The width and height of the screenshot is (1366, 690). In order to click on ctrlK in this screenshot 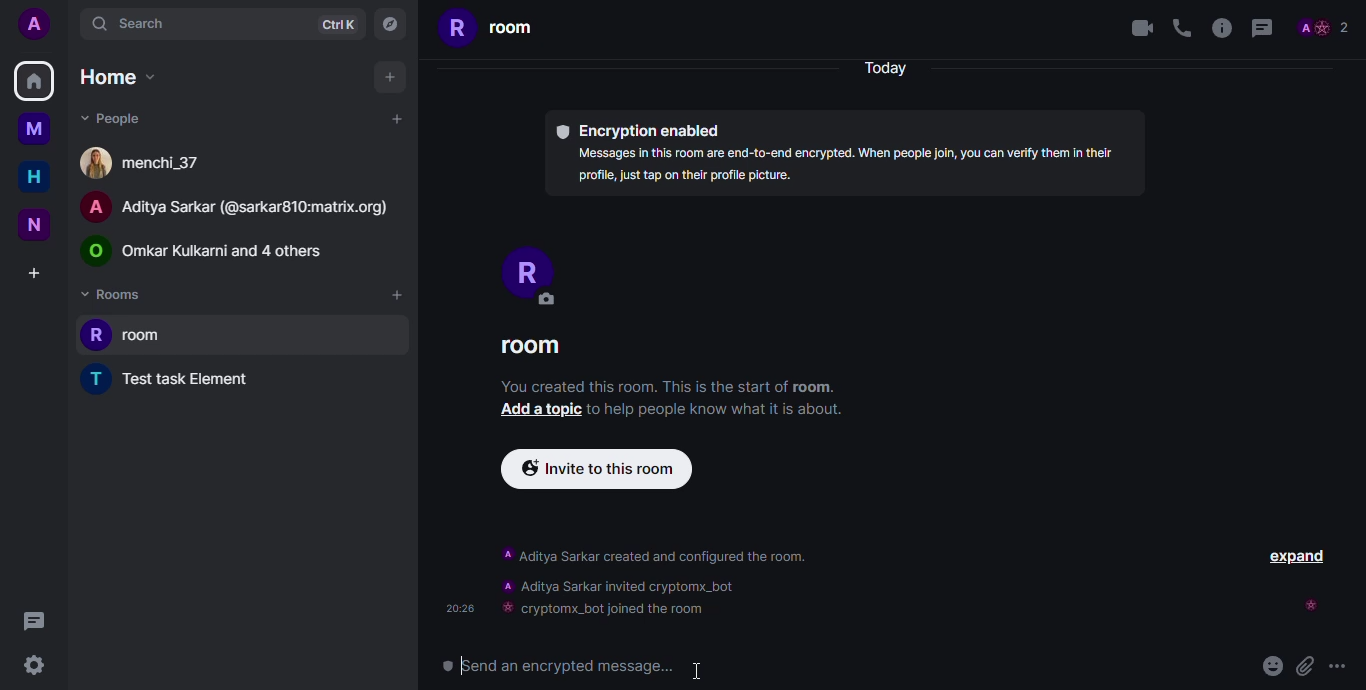, I will do `click(338, 25)`.